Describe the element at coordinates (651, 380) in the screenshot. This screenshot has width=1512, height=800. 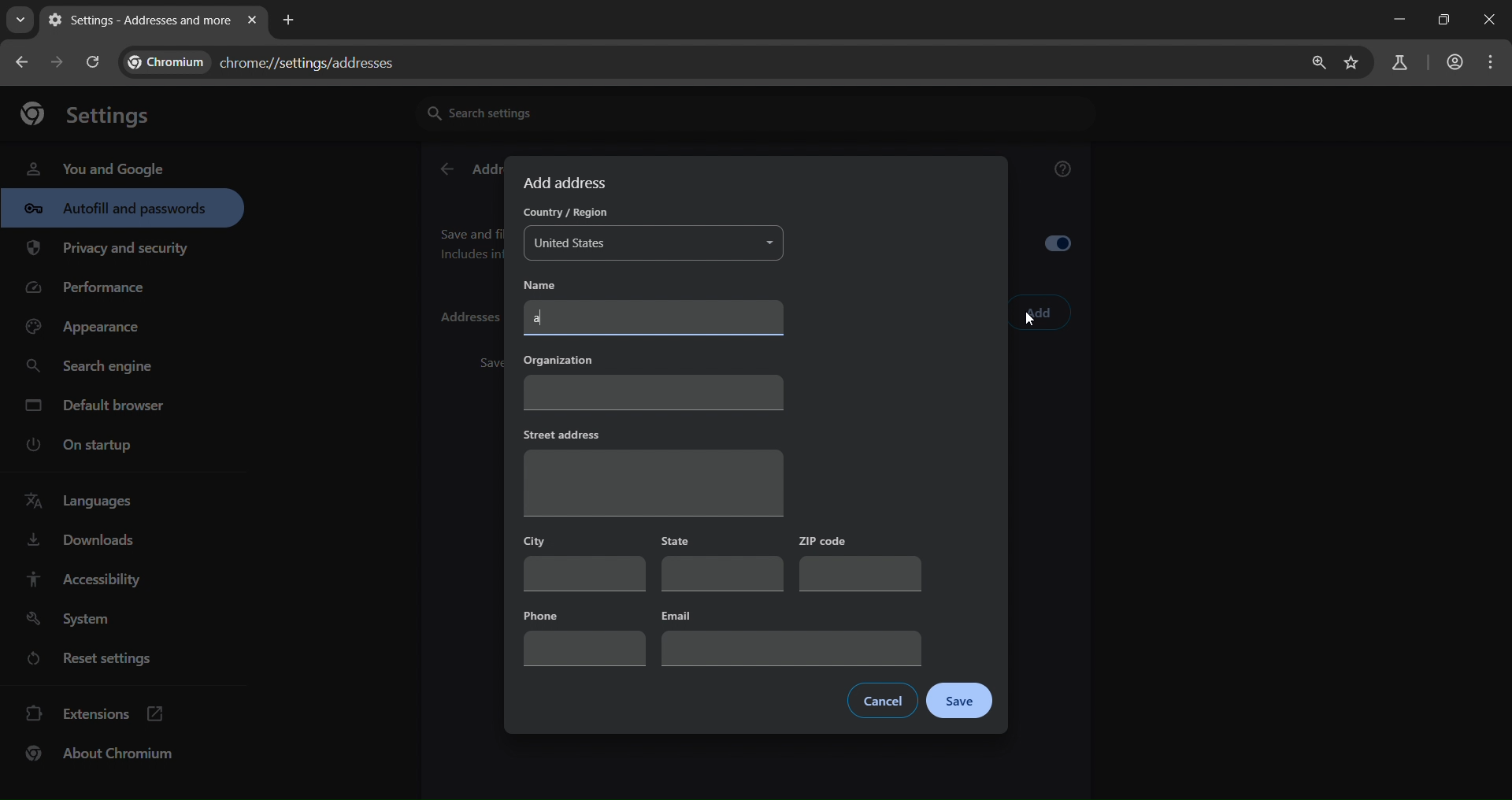
I see `organization` at that location.